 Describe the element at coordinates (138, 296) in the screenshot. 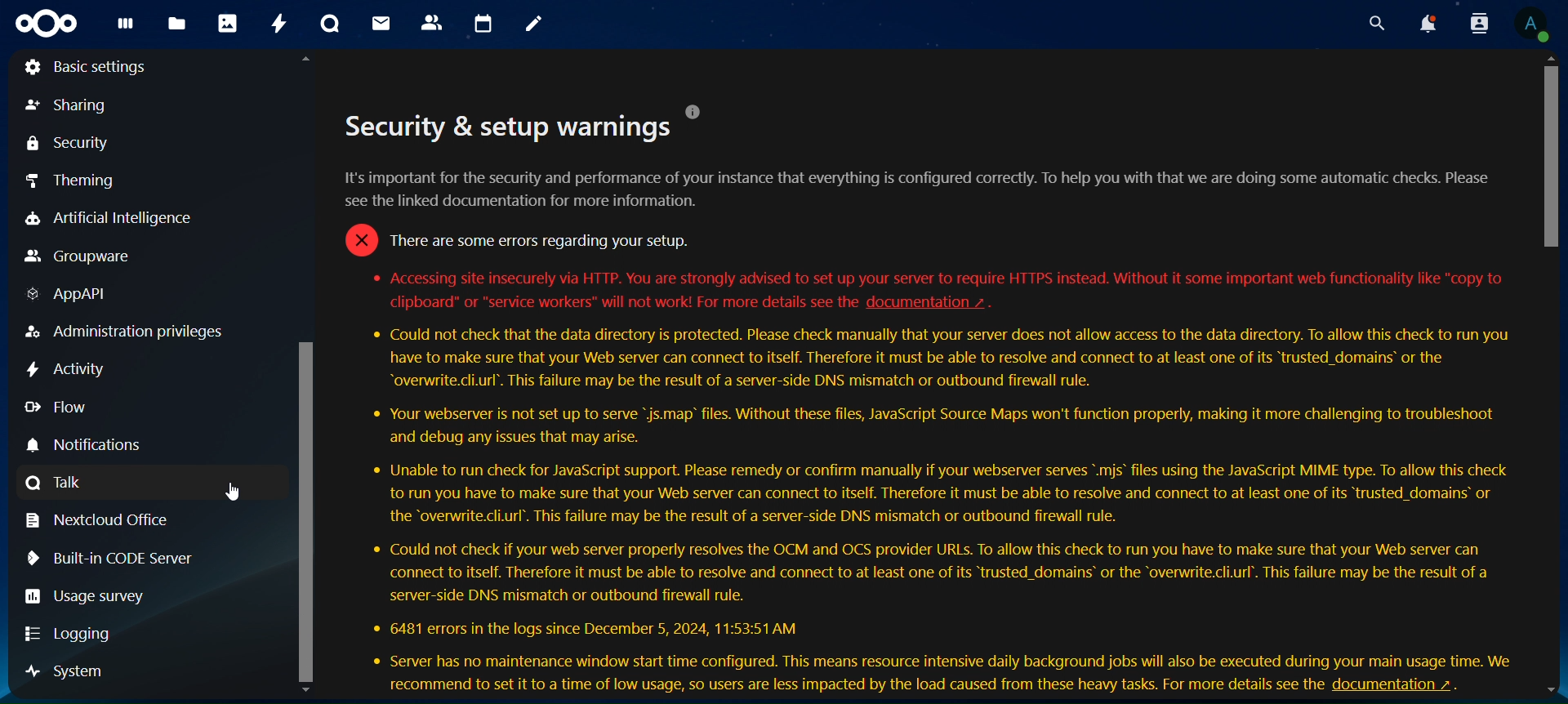

I see `AppAPI` at that location.